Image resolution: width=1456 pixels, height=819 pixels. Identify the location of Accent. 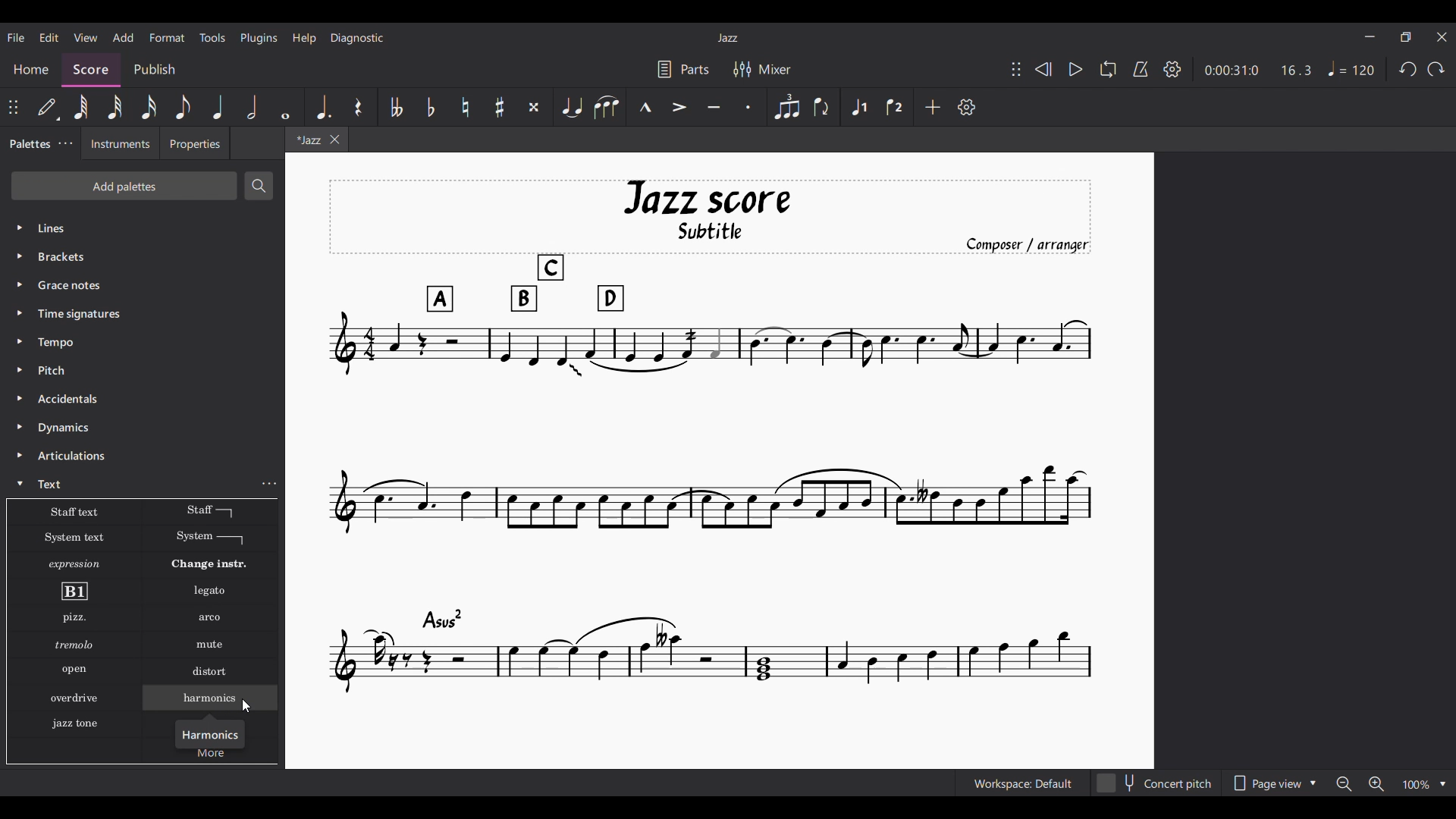
(679, 107).